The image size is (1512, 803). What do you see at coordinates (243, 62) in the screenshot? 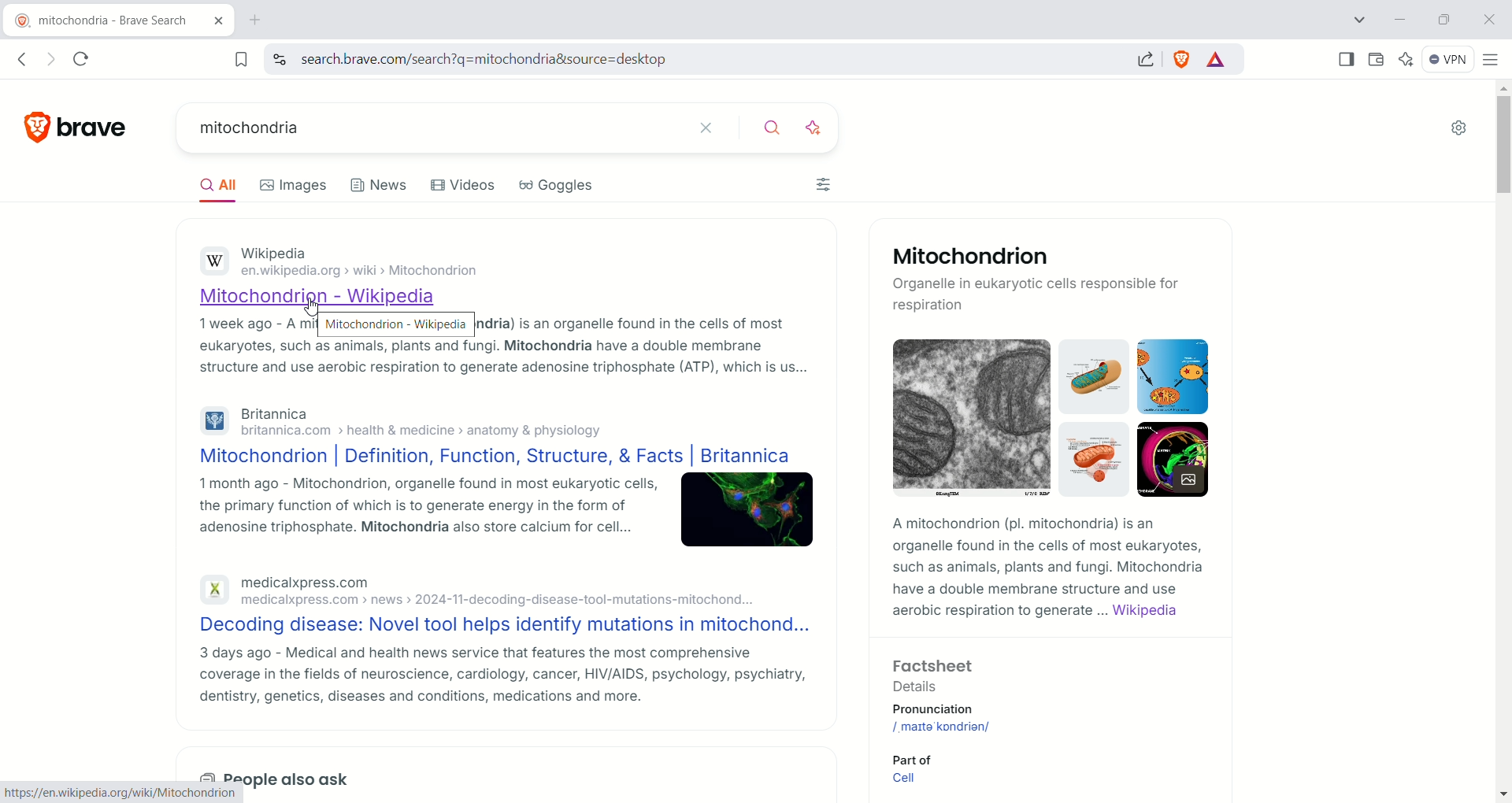
I see `bookmark` at bounding box center [243, 62].